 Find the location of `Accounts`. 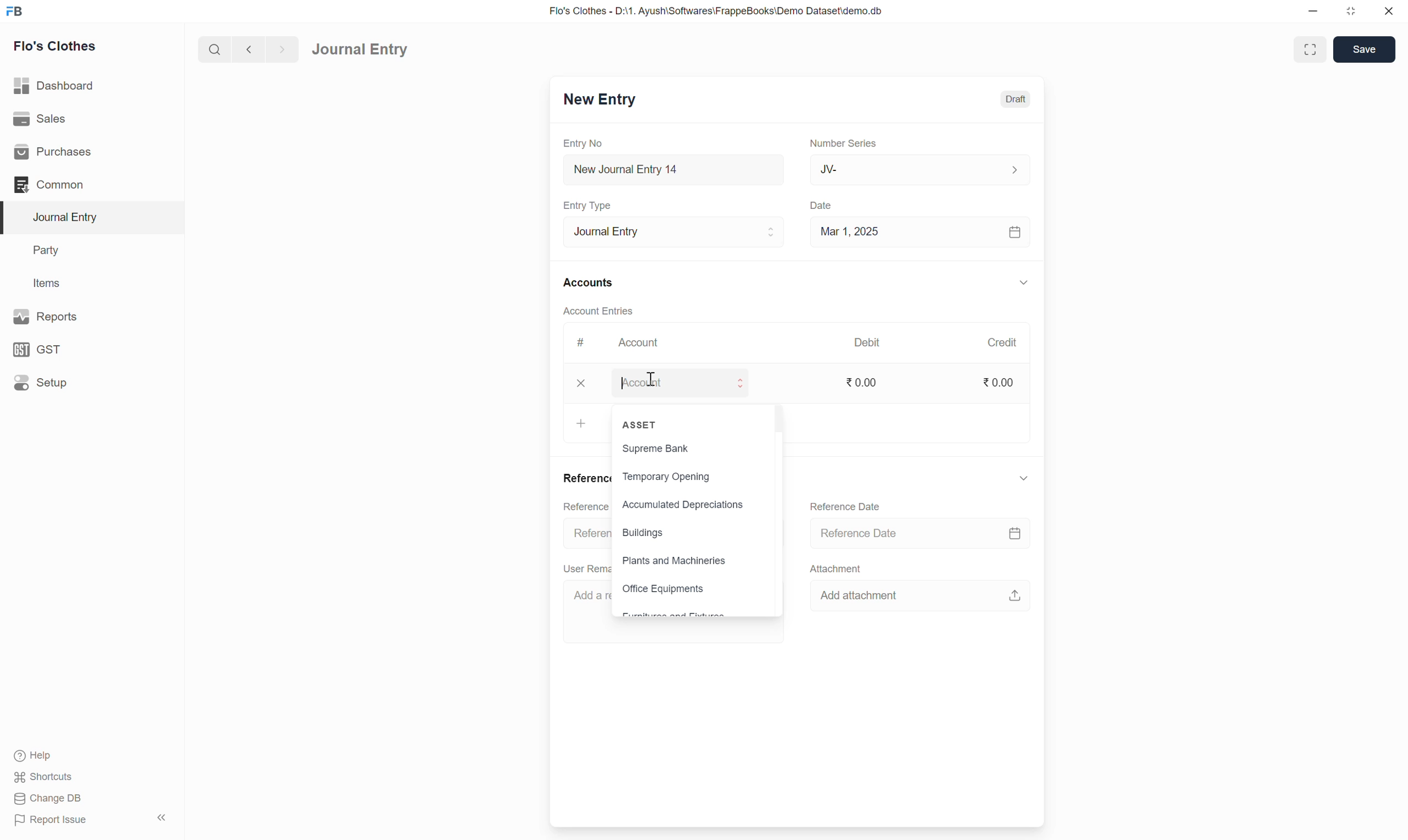

Accounts is located at coordinates (590, 281).